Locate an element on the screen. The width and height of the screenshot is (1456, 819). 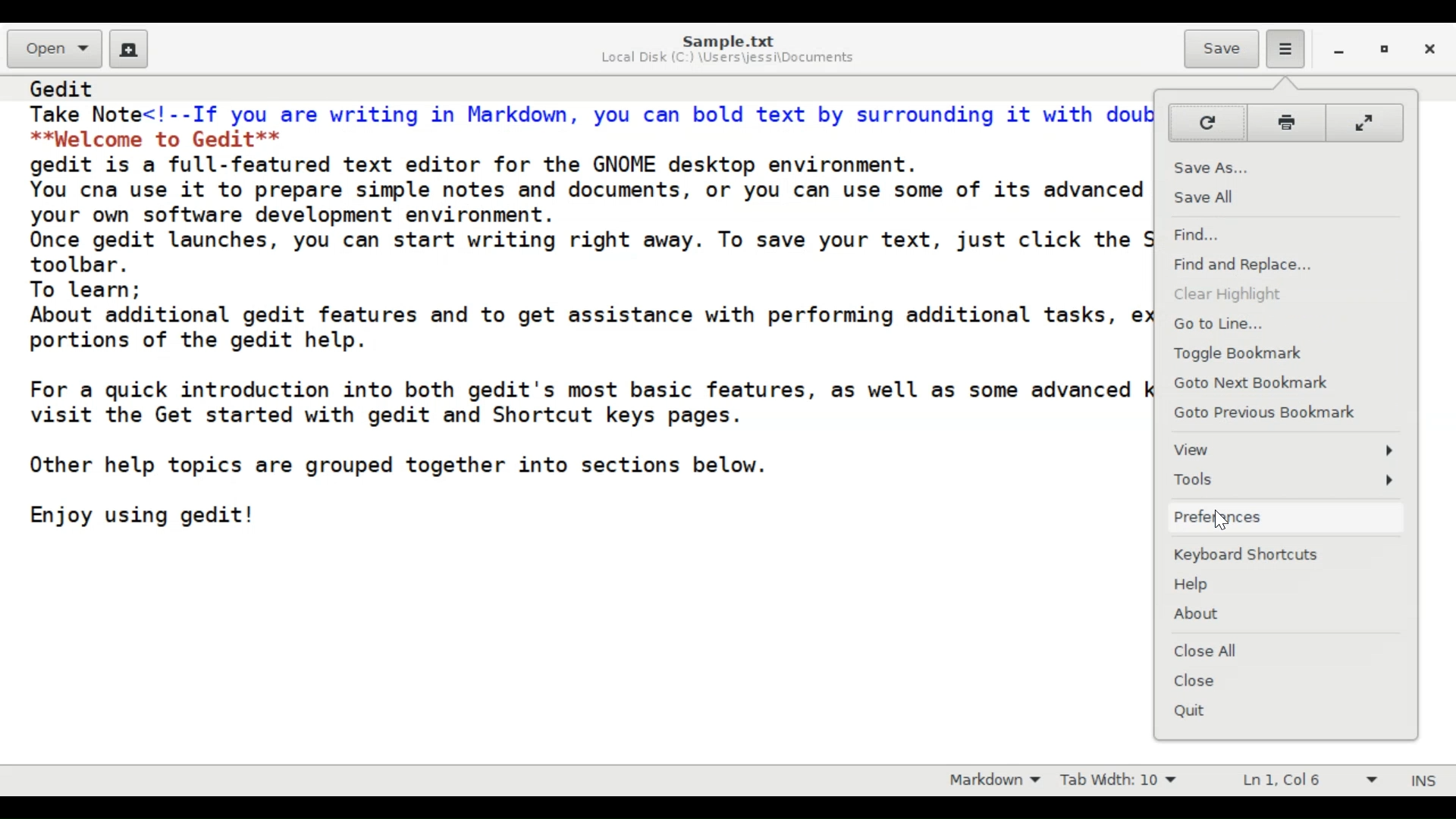
Fullscreen is located at coordinates (1364, 121).